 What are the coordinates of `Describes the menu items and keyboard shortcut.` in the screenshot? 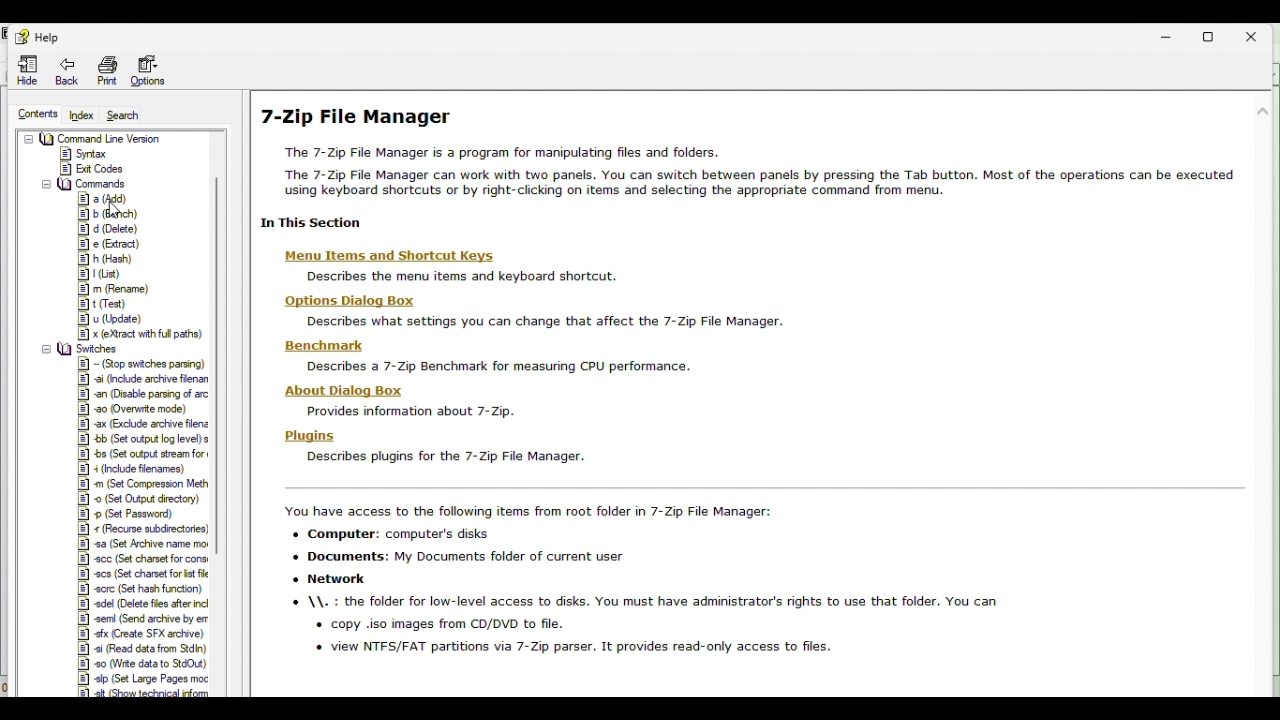 It's located at (455, 276).